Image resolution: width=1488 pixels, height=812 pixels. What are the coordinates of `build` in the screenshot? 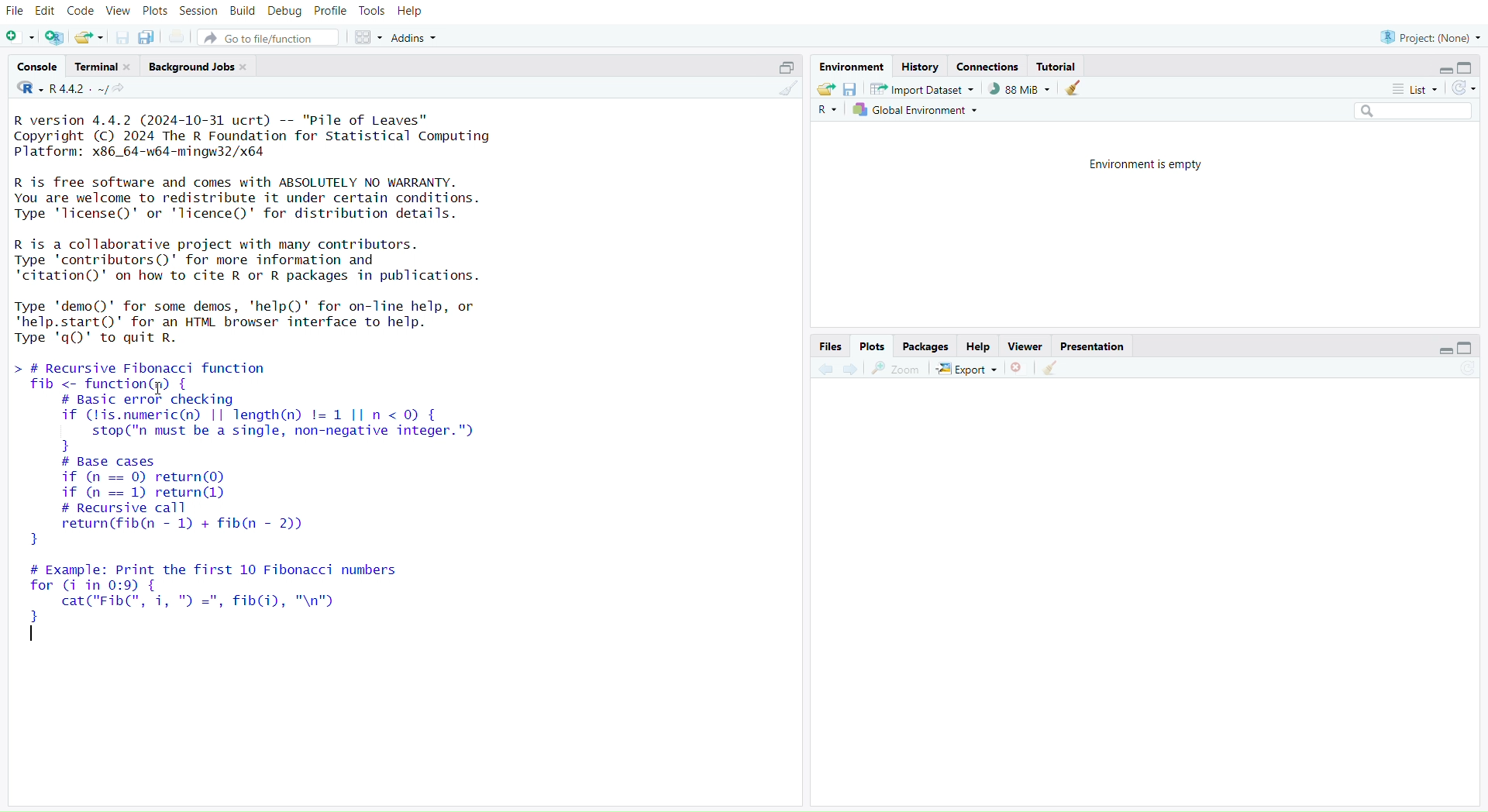 It's located at (243, 11).